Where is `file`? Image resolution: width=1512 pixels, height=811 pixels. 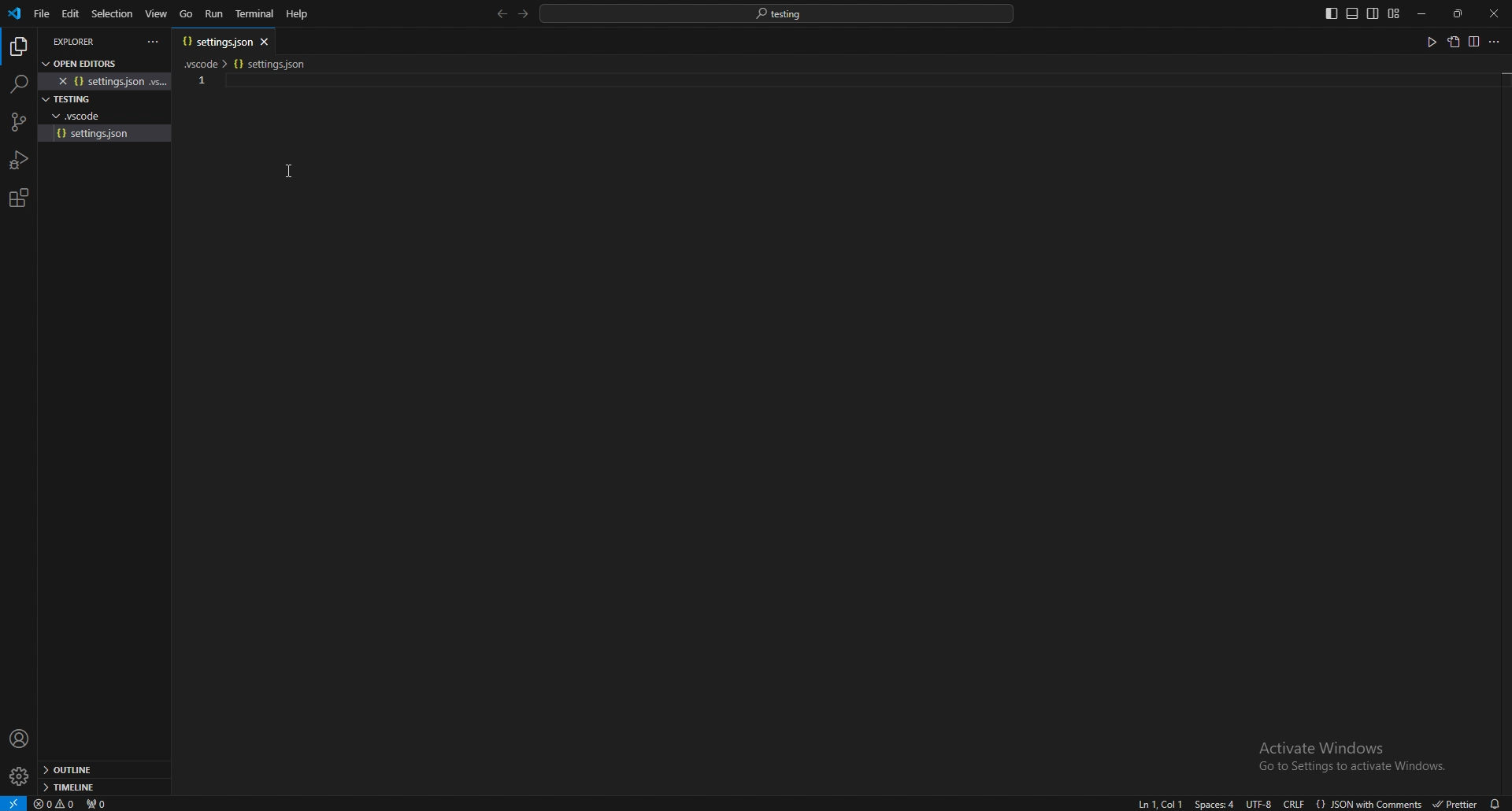
file is located at coordinates (109, 81).